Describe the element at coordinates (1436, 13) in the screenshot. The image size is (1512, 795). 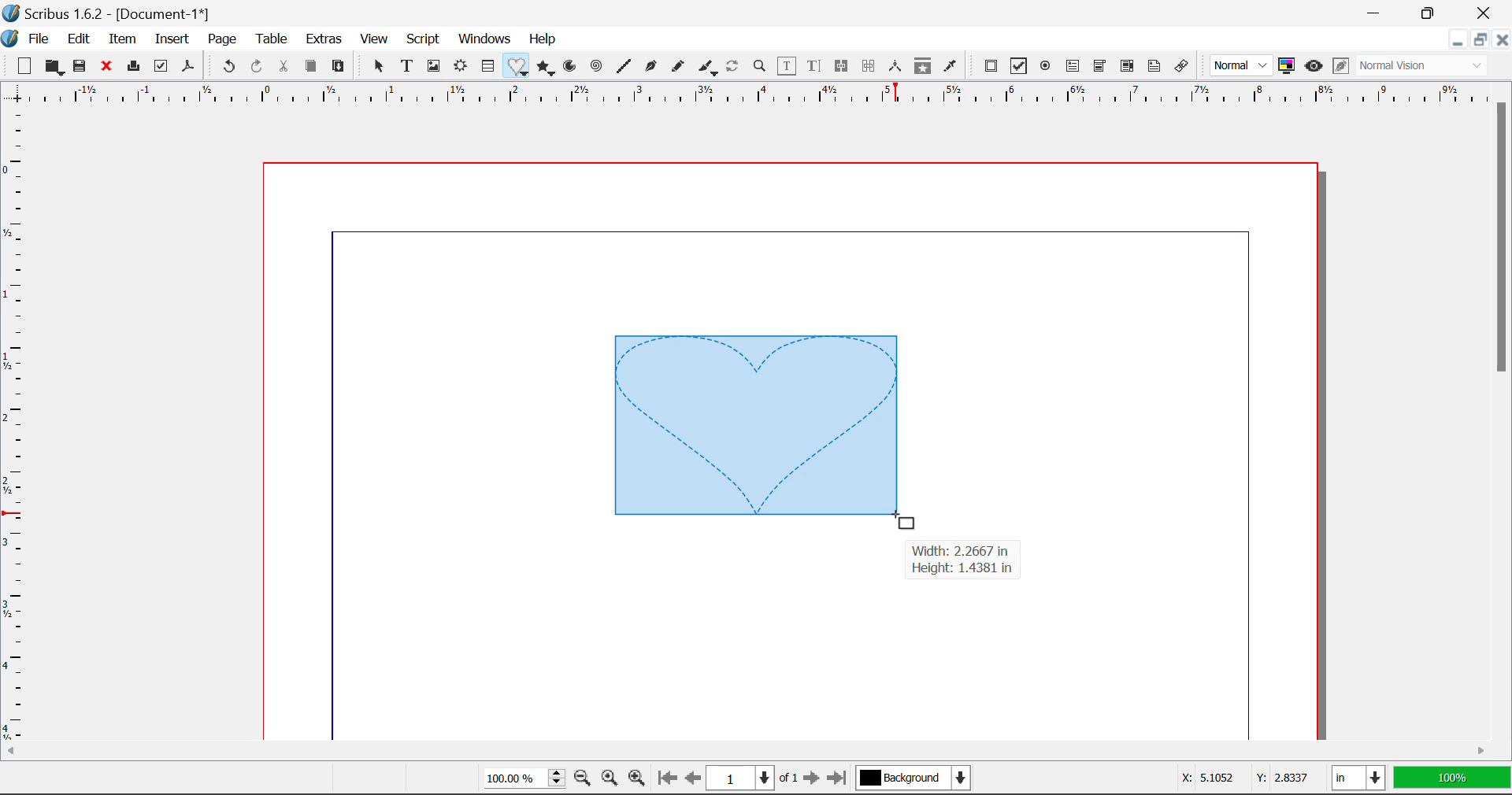
I see `Minimize` at that location.